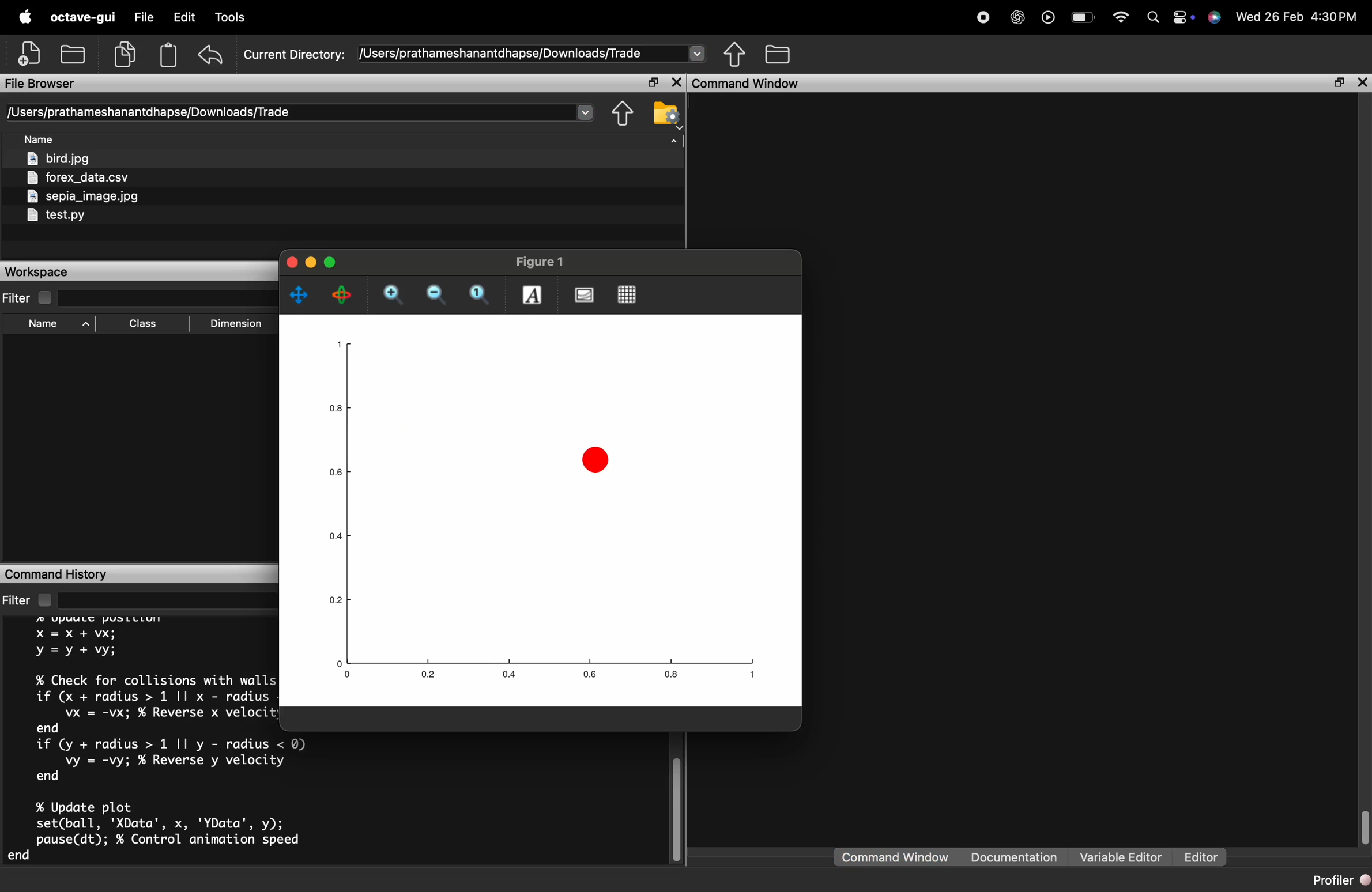  I want to click on  bird.jpg, so click(59, 157).